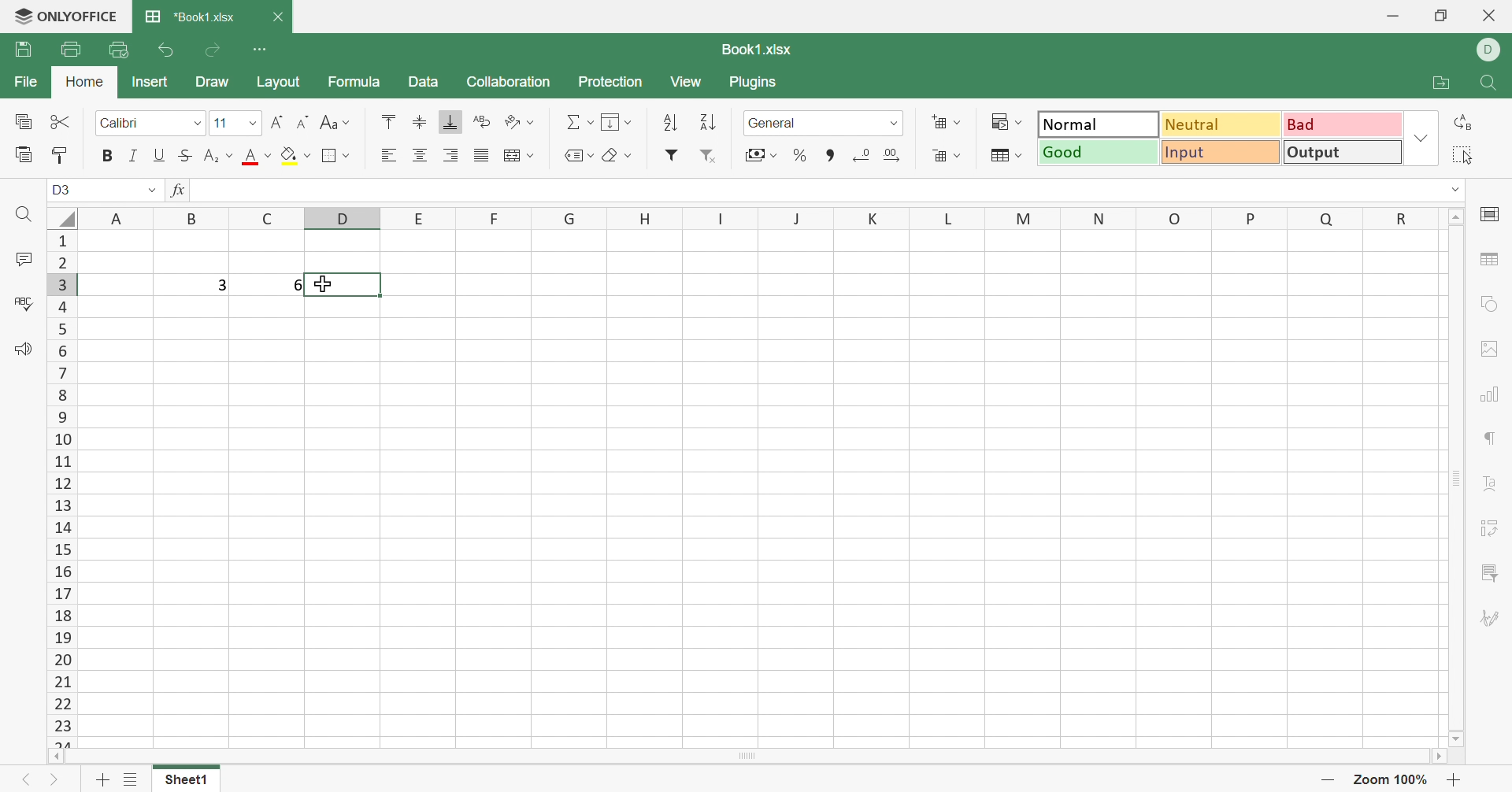  I want to click on Number format, so click(823, 123).